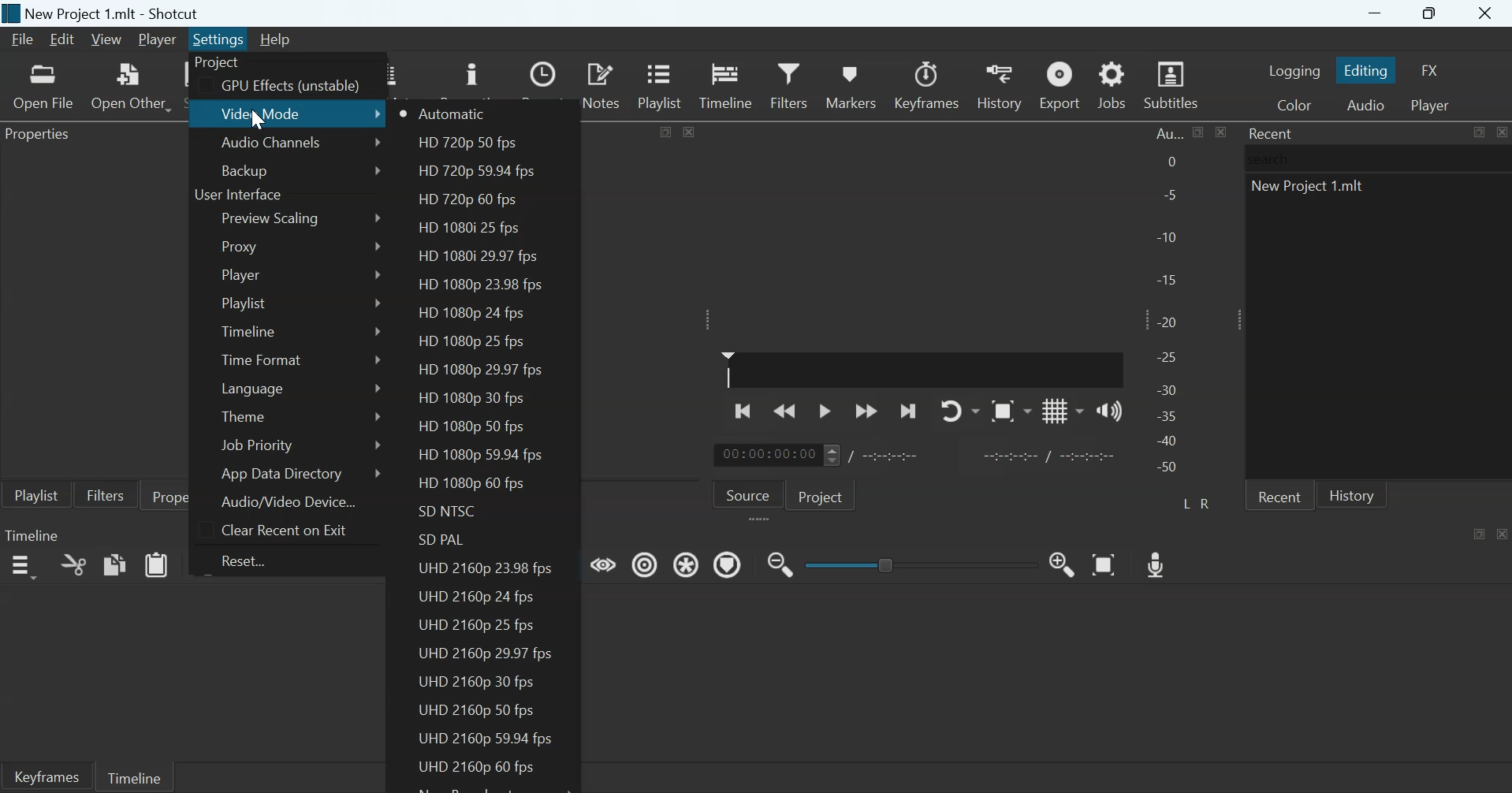  What do you see at coordinates (1368, 70) in the screenshot?
I see `Switch to the Editing layout` at bounding box center [1368, 70].